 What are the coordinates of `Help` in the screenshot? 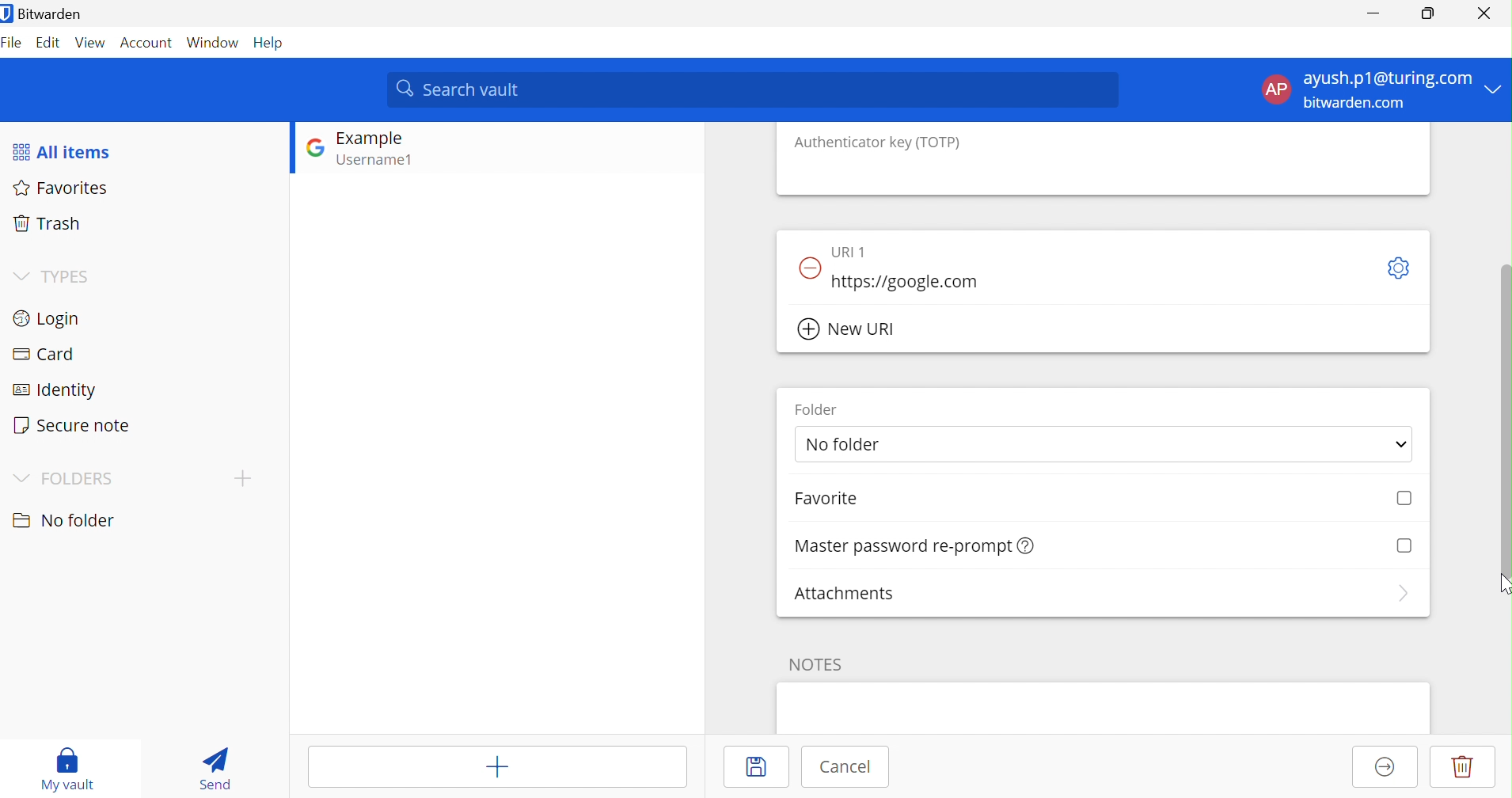 It's located at (272, 43).